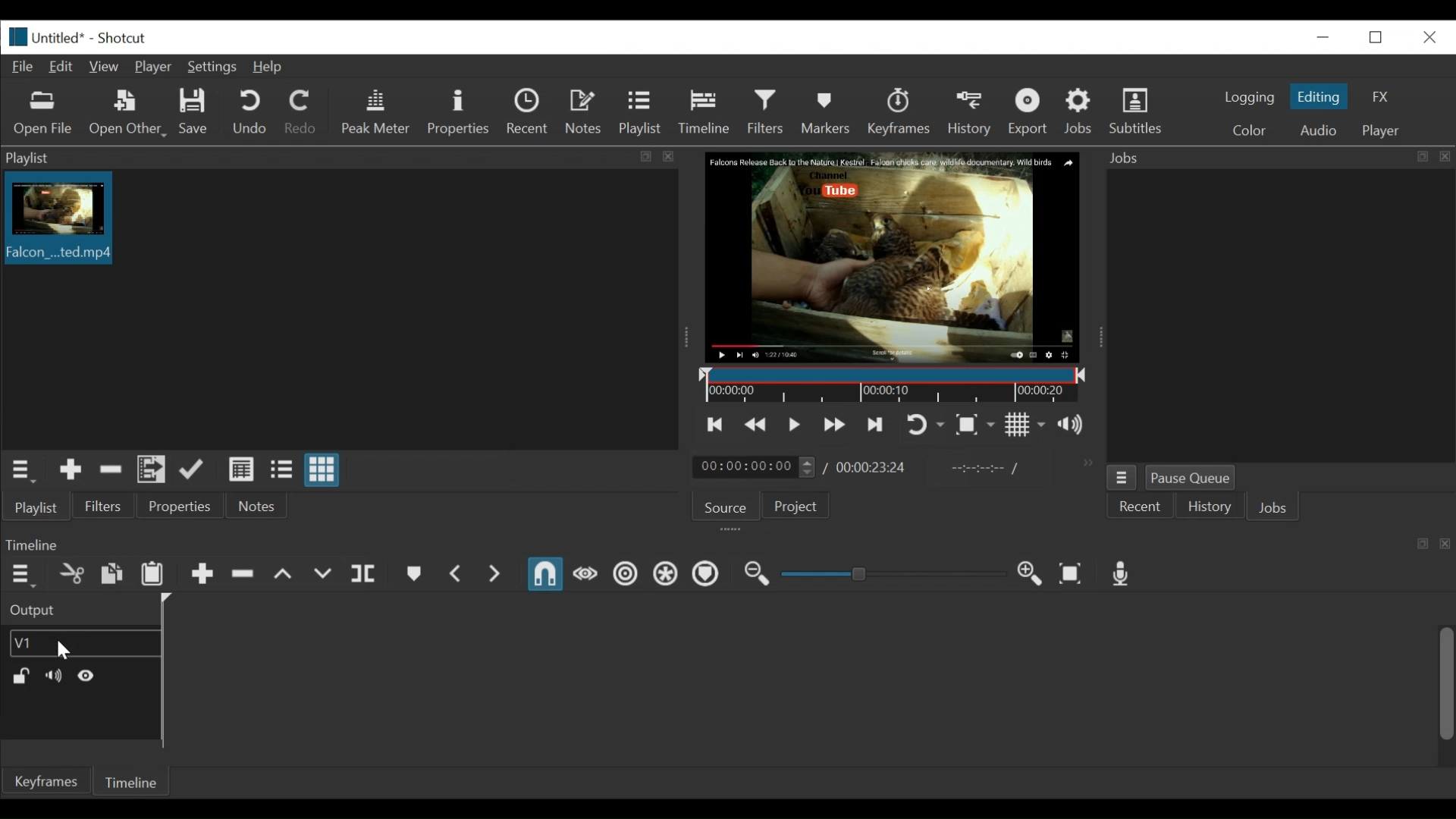  I want to click on Zoom Timeline to fit, so click(1071, 573).